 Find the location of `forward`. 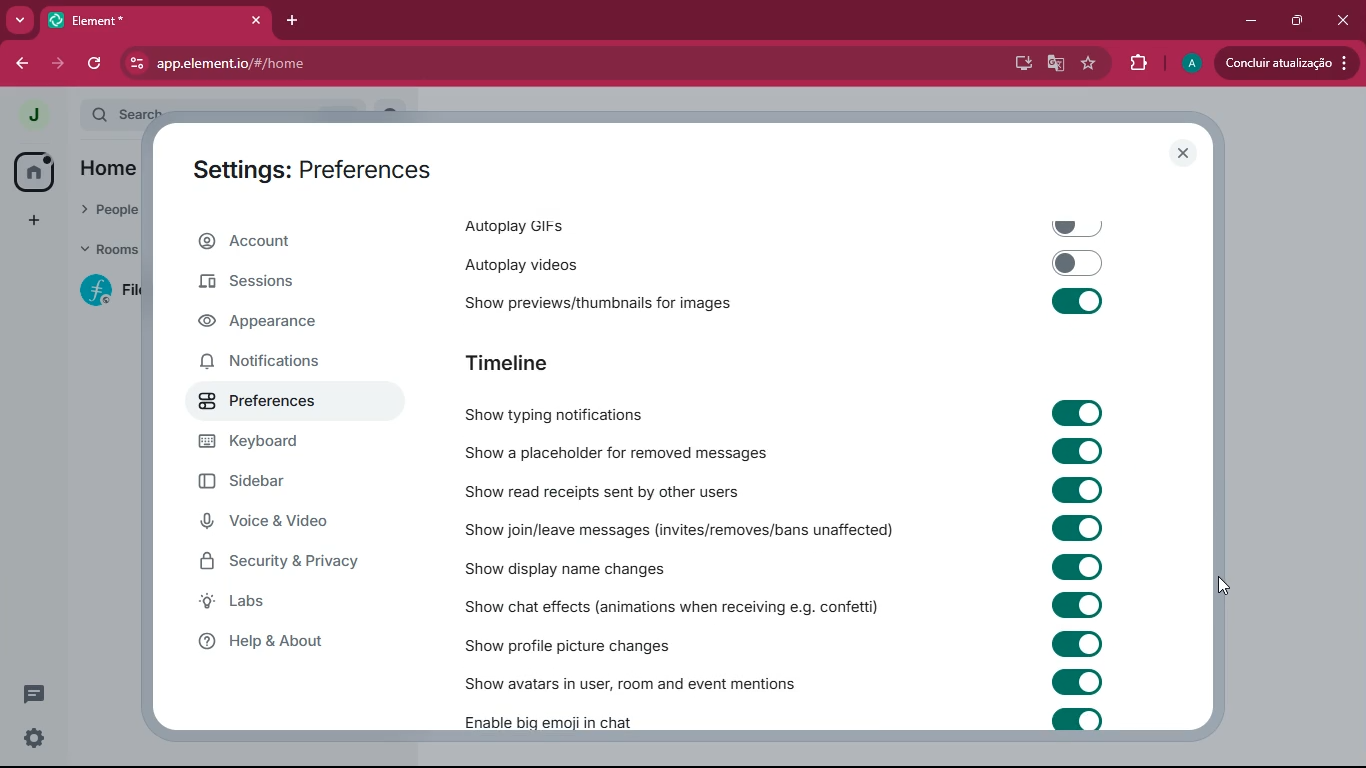

forward is located at coordinates (58, 66).